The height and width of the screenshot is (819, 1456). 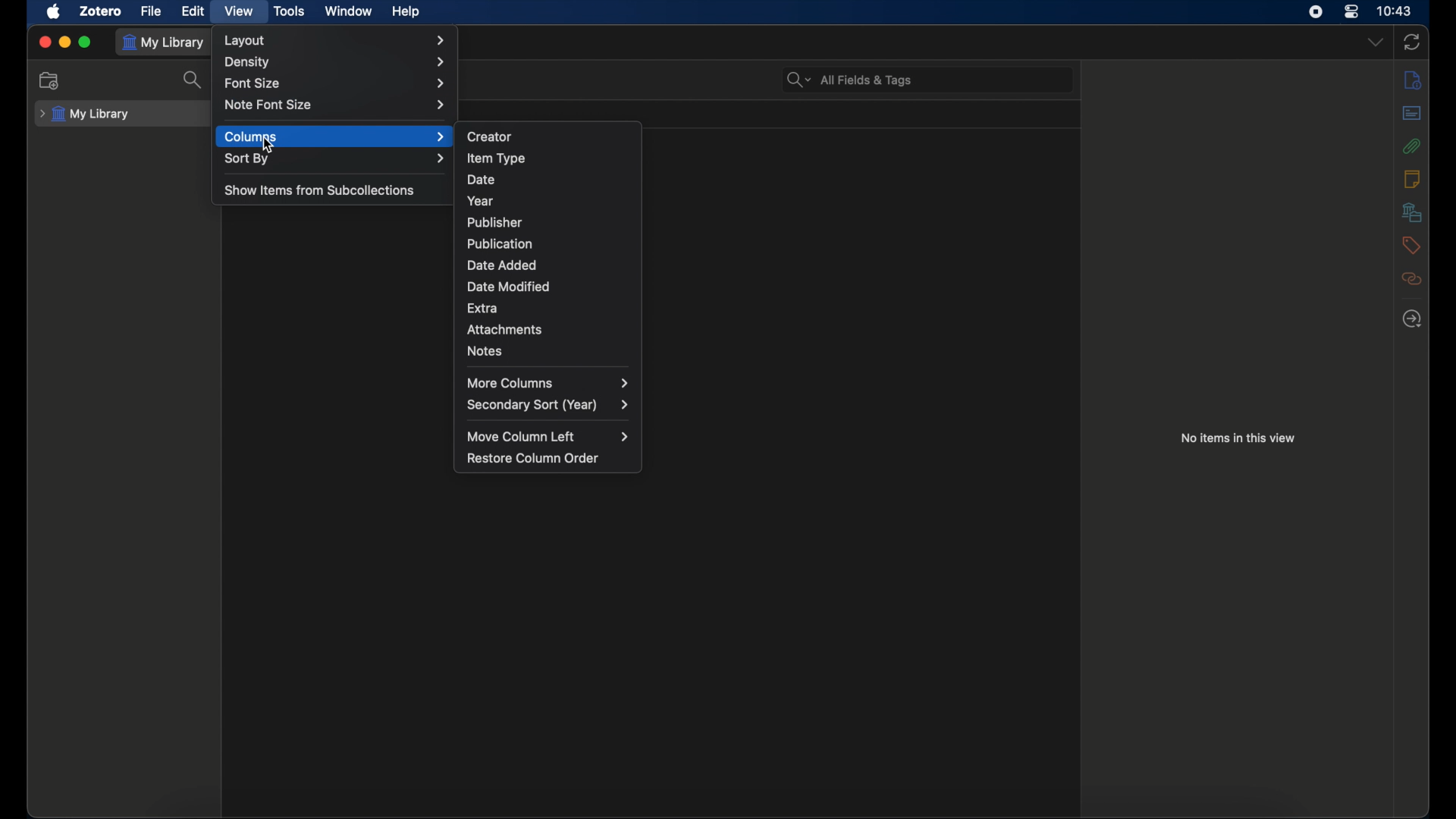 I want to click on dropdown, so click(x=1376, y=42).